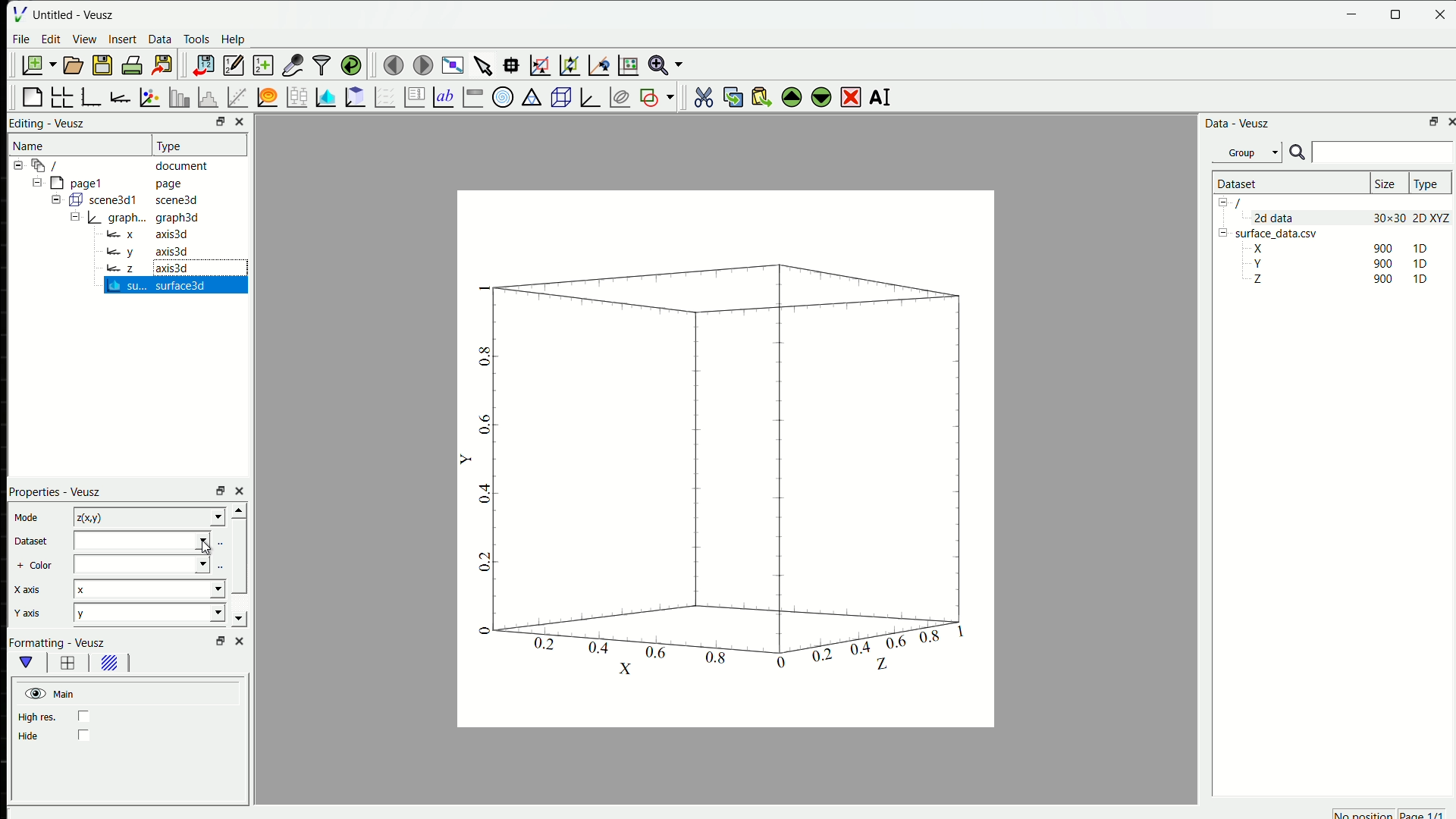 The width and height of the screenshot is (1456, 819). I want to click on Data, so click(162, 39).